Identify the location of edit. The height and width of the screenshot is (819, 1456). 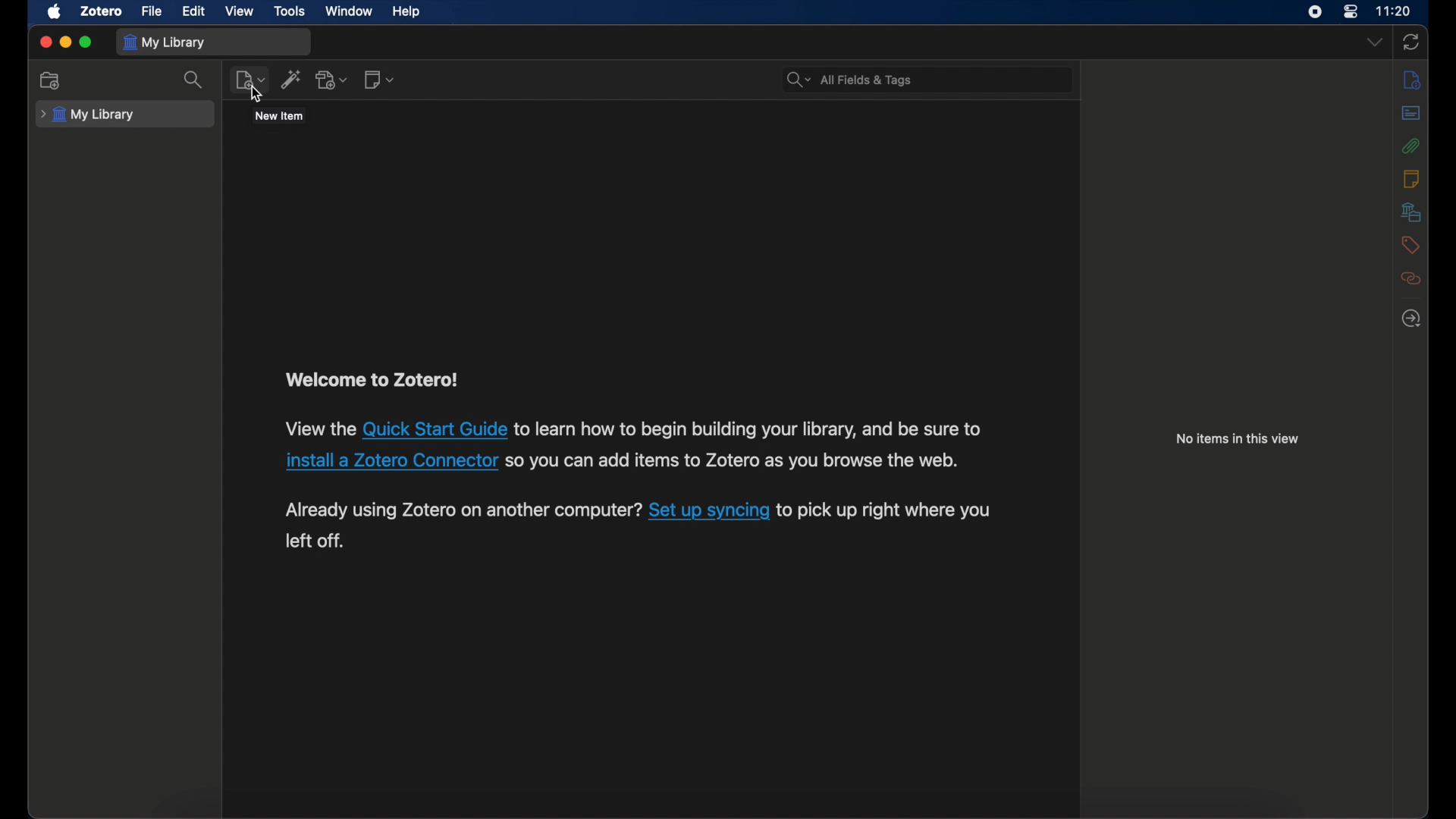
(196, 12).